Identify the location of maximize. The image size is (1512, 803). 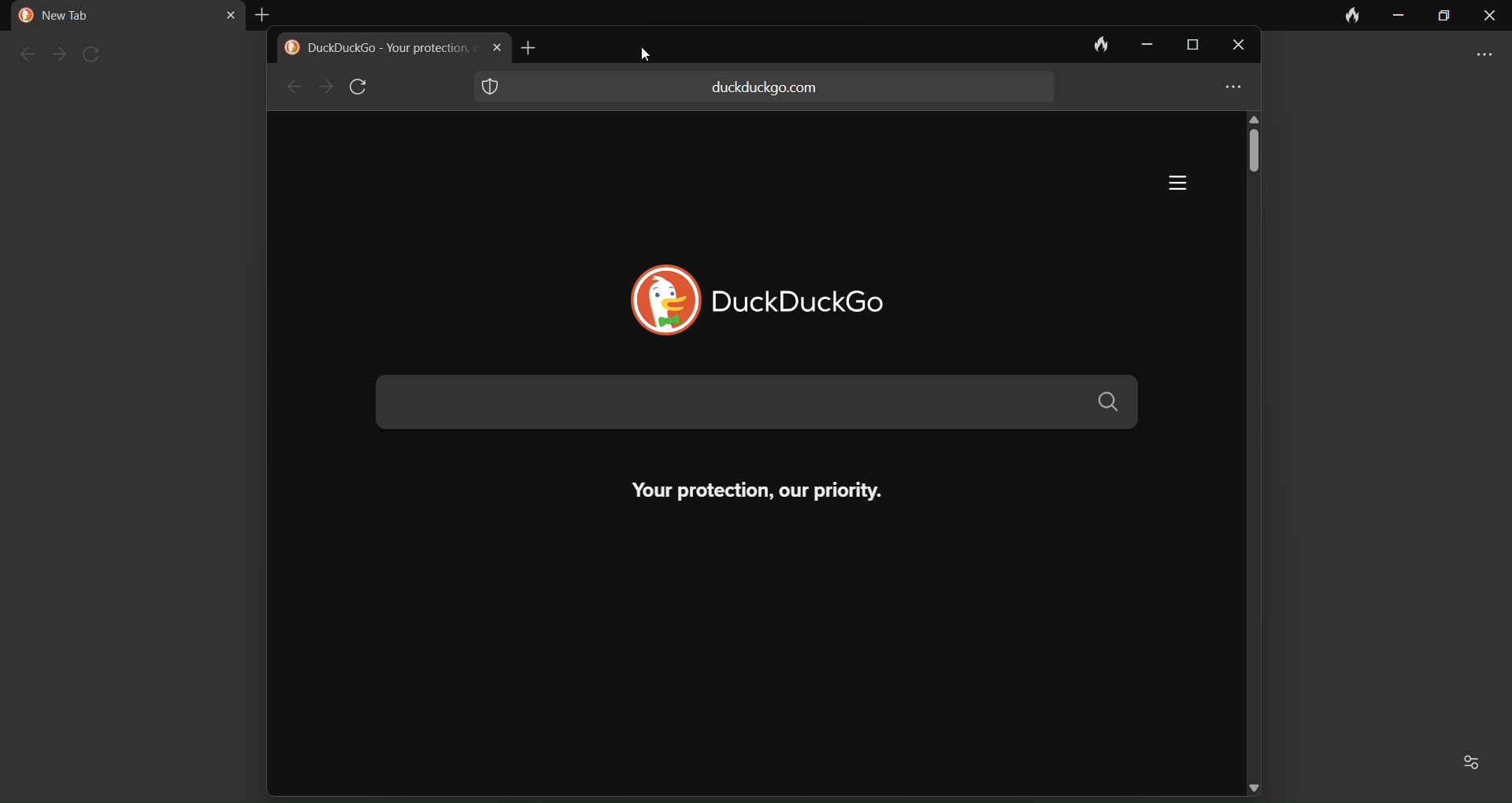
(1445, 17).